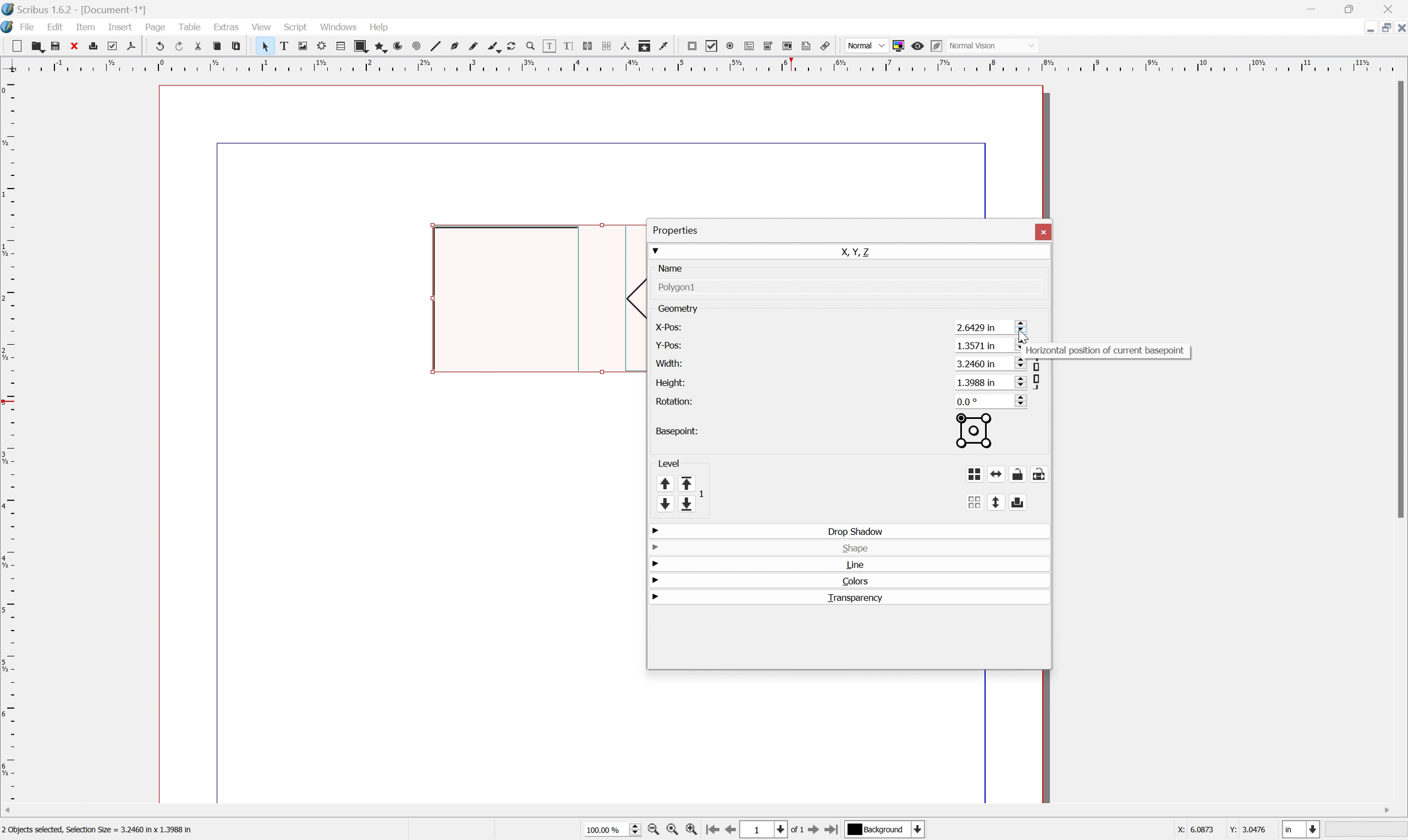  I want to click on copy item properties, so click(643, 44).